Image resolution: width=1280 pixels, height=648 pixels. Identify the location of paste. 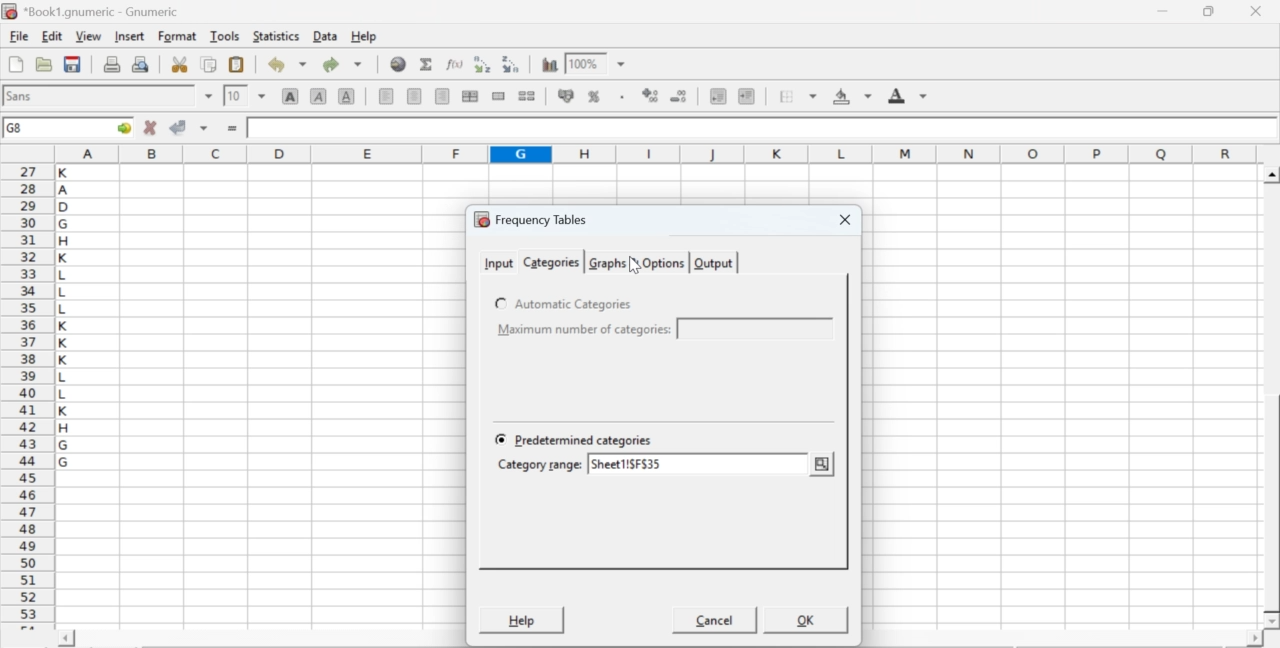
(238, 65).